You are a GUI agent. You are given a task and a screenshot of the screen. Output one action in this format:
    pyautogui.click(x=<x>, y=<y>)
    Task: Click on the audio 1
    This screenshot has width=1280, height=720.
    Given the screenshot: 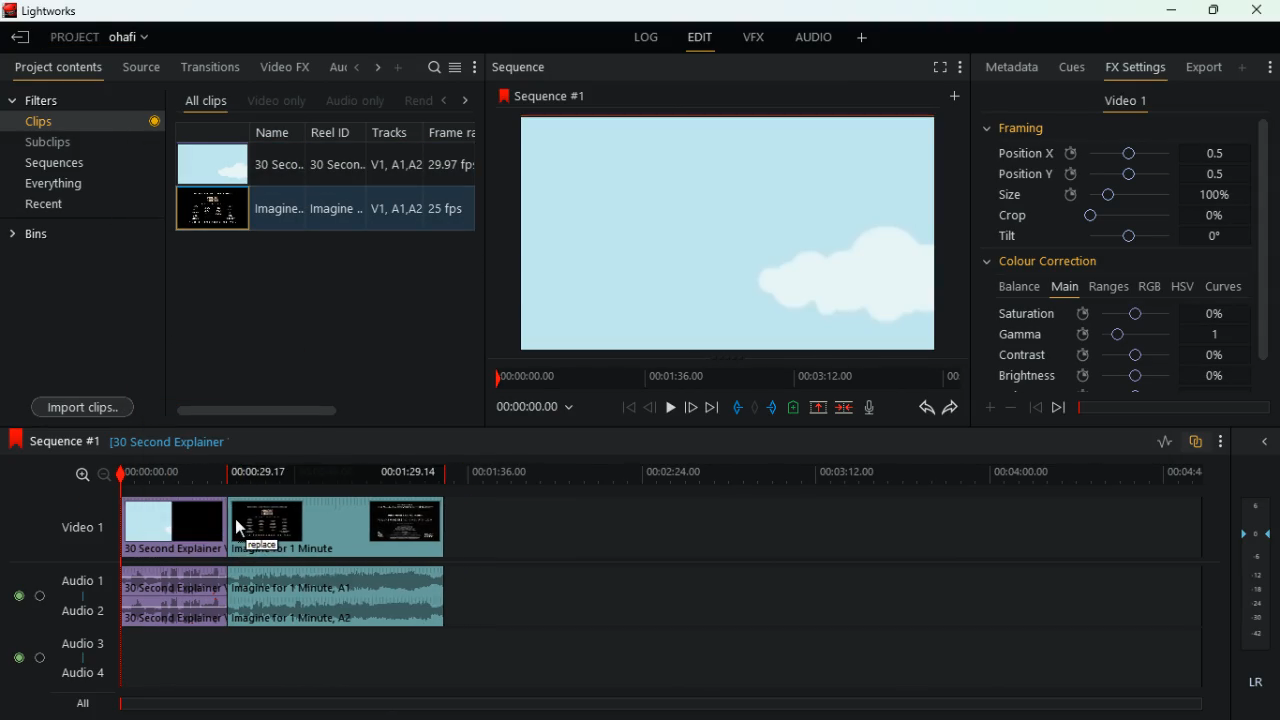 What is the action you would take?
    pyautogui.click(x=85, y=580)
    